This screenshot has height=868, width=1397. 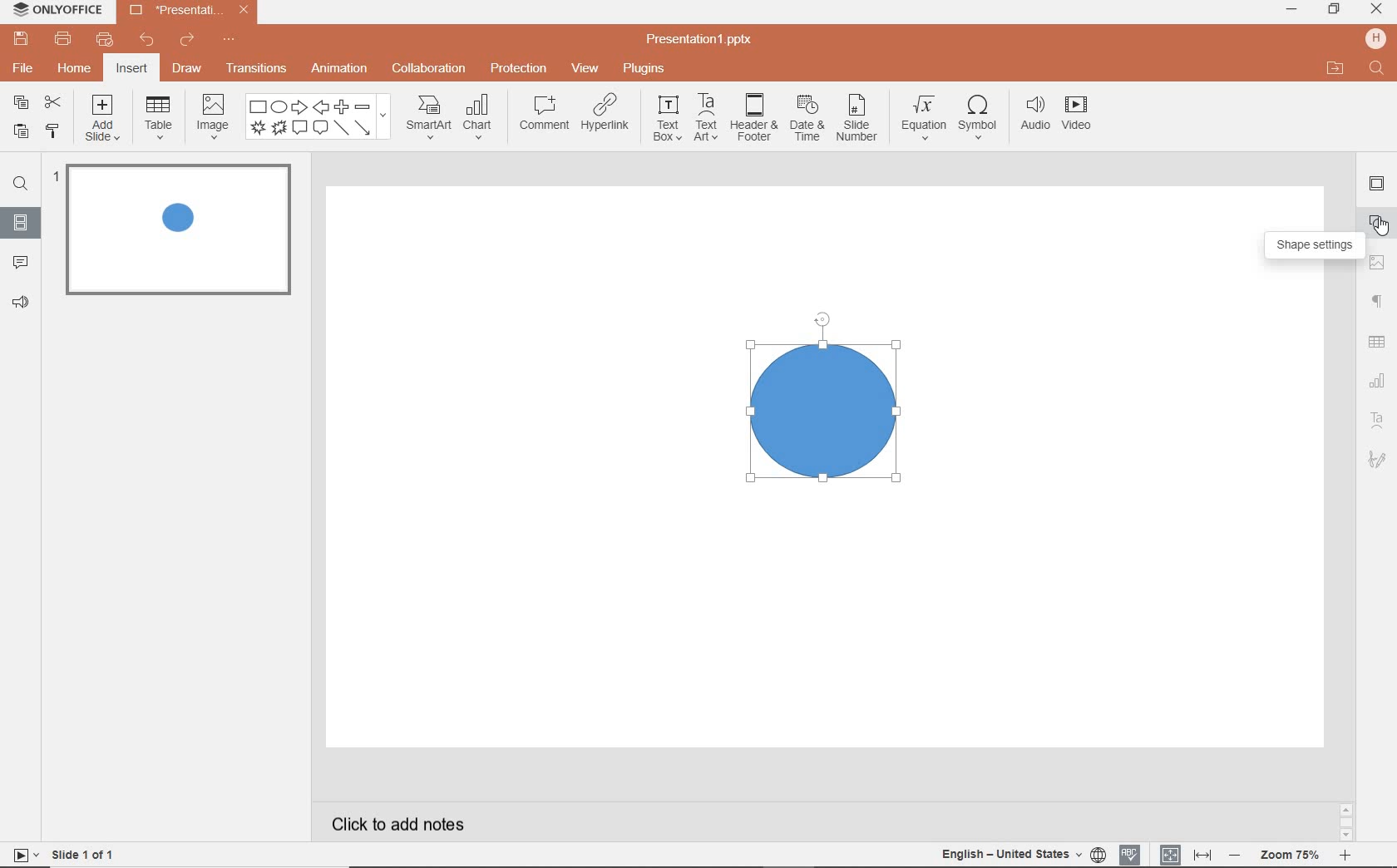 What do you see at coordinates (1378, 299) in the screenshot?
I see `paragraph settings` at bounding box center [1378, 299].